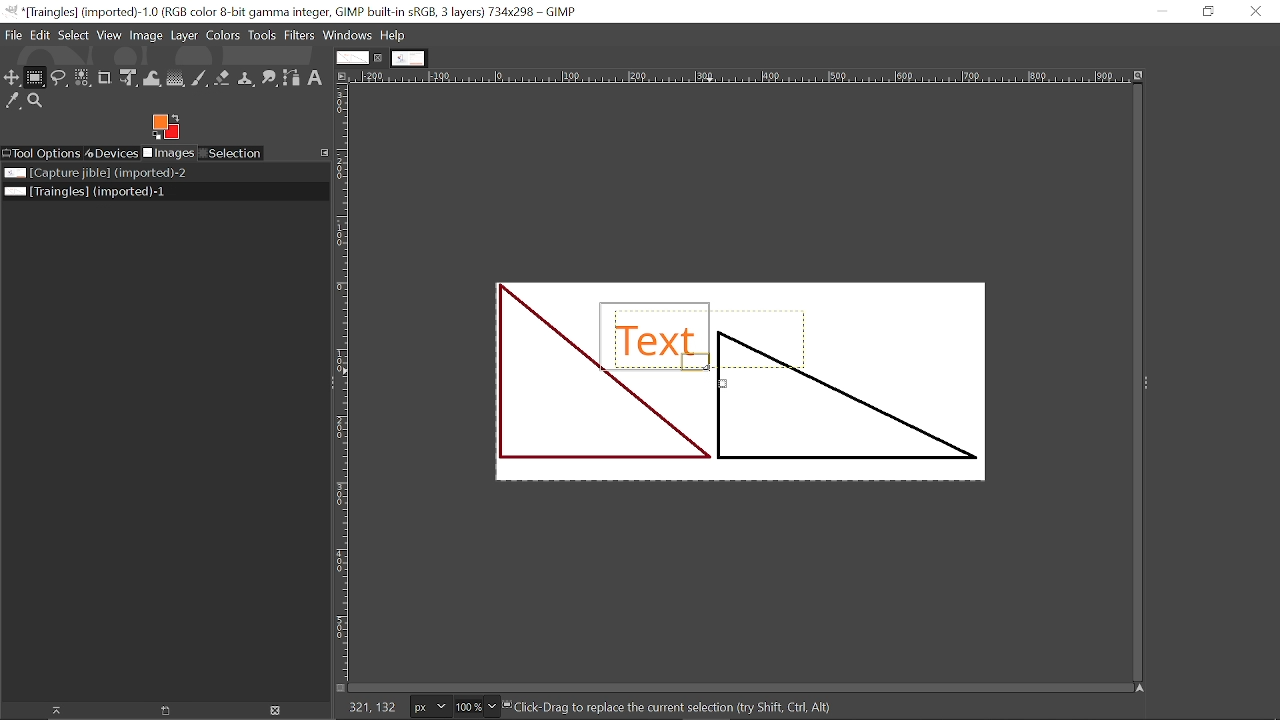  I want to click on Layer, so click(184, 36).